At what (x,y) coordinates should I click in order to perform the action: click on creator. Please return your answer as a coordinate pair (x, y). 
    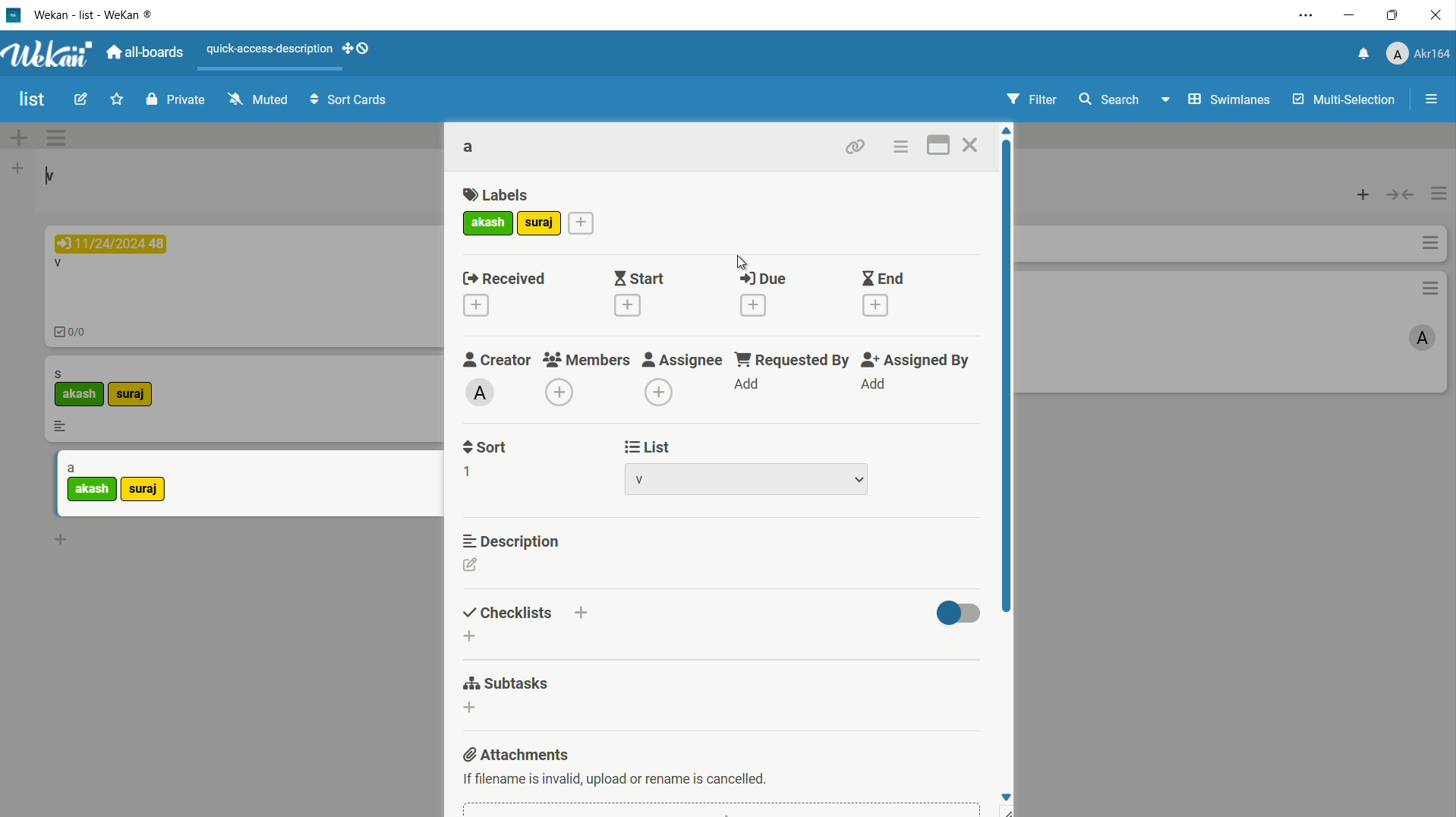
    Looking at the image, I should click on (493, 360).